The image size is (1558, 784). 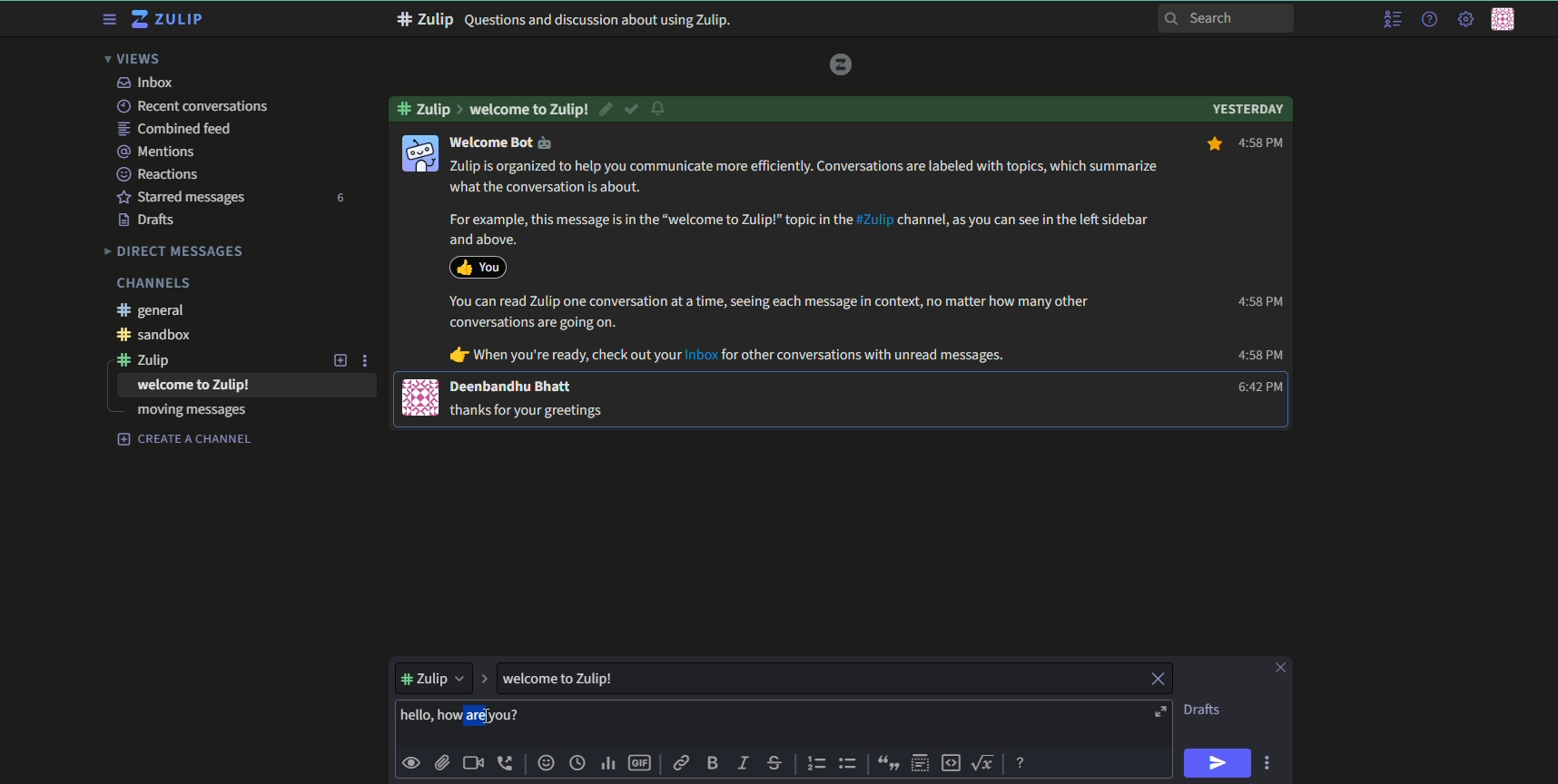 I want to click on open, so click(x=1159, y=712).